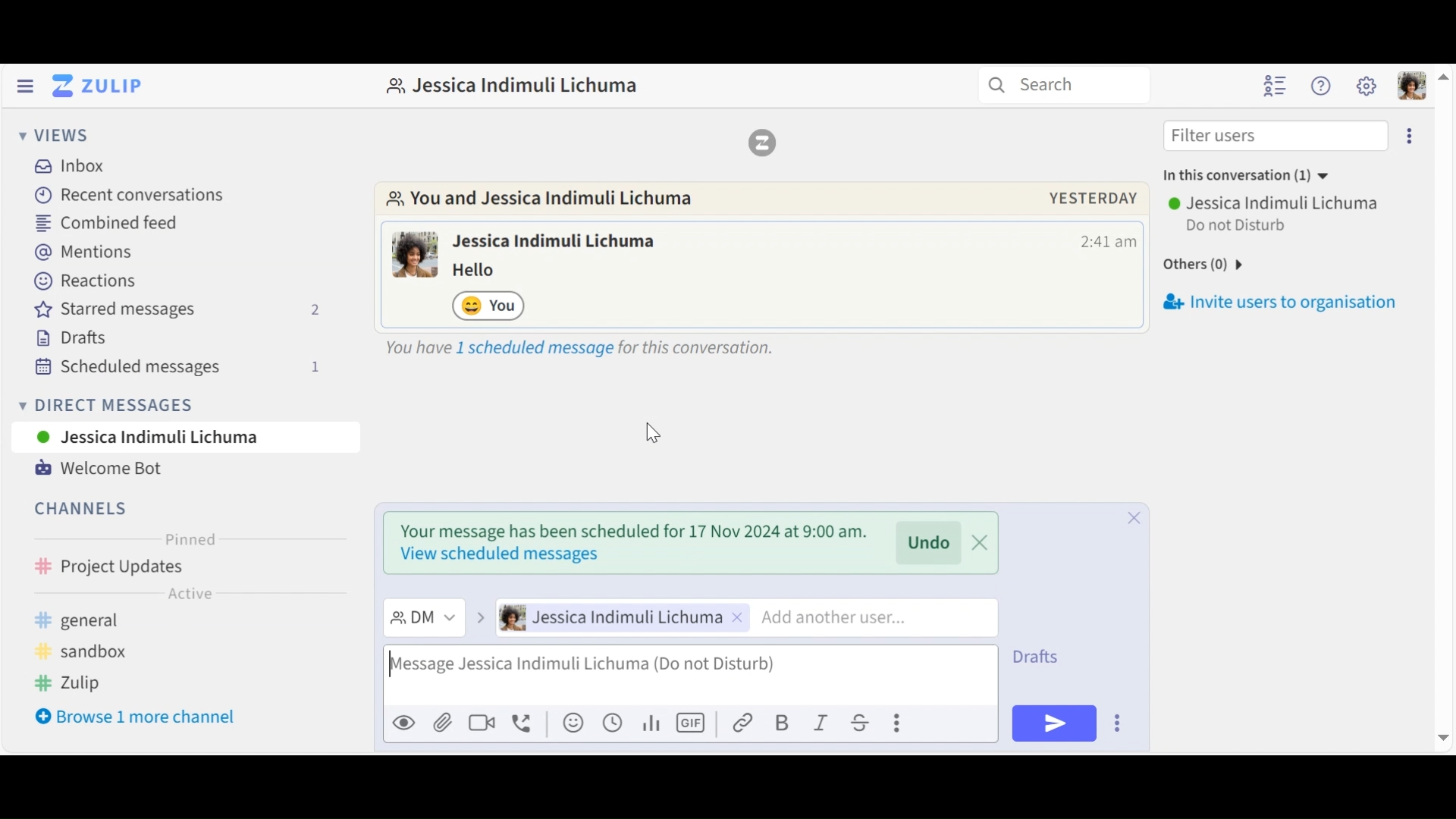  Describe the element at coordinates (190, 592) in the screenshot. I see `Active` at that location.